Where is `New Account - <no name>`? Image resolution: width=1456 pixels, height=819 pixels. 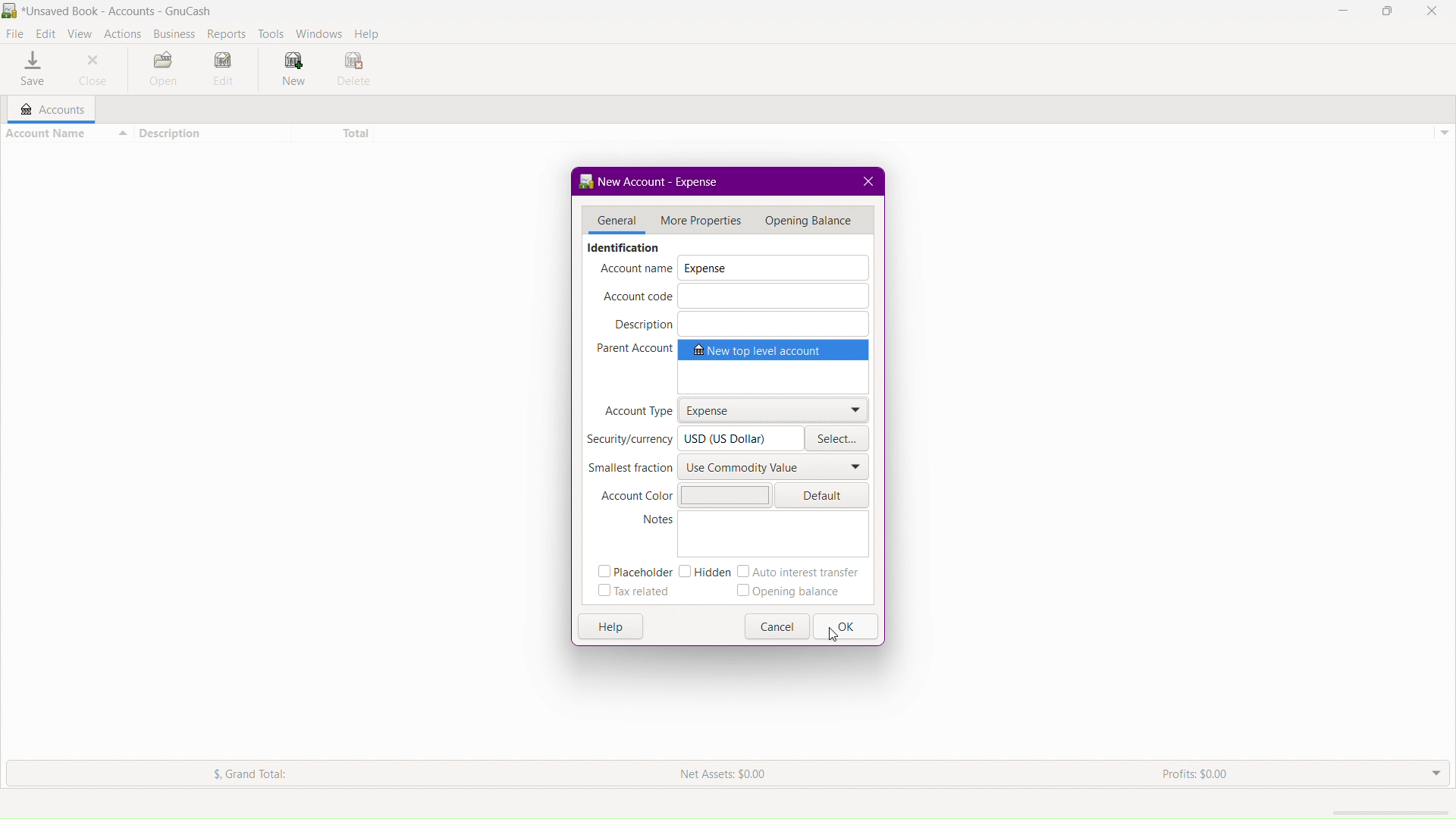
New Account - <no name> is located at coordinates (667, 180).